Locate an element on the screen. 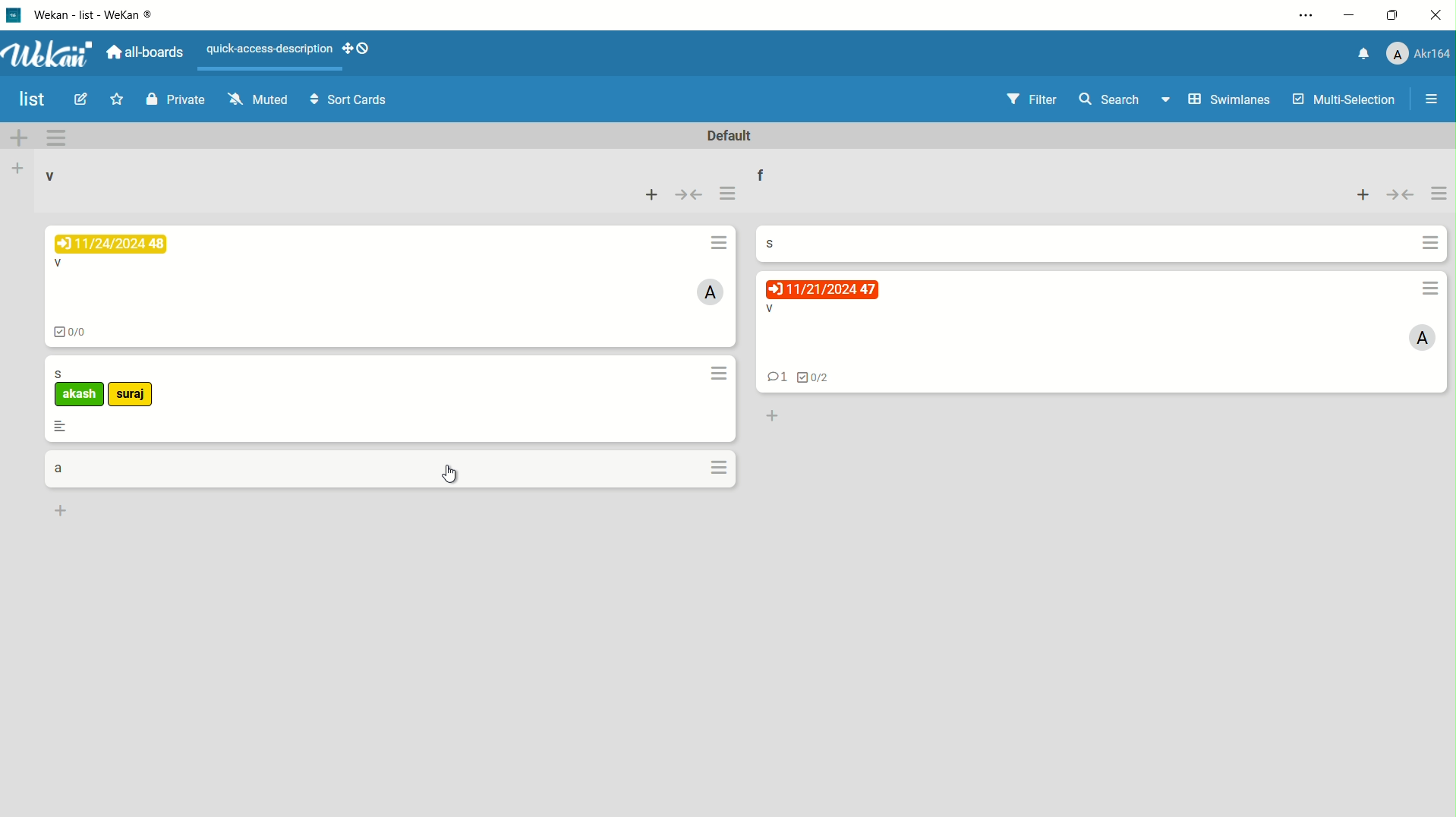  list name is located at coordinates (49, 176).